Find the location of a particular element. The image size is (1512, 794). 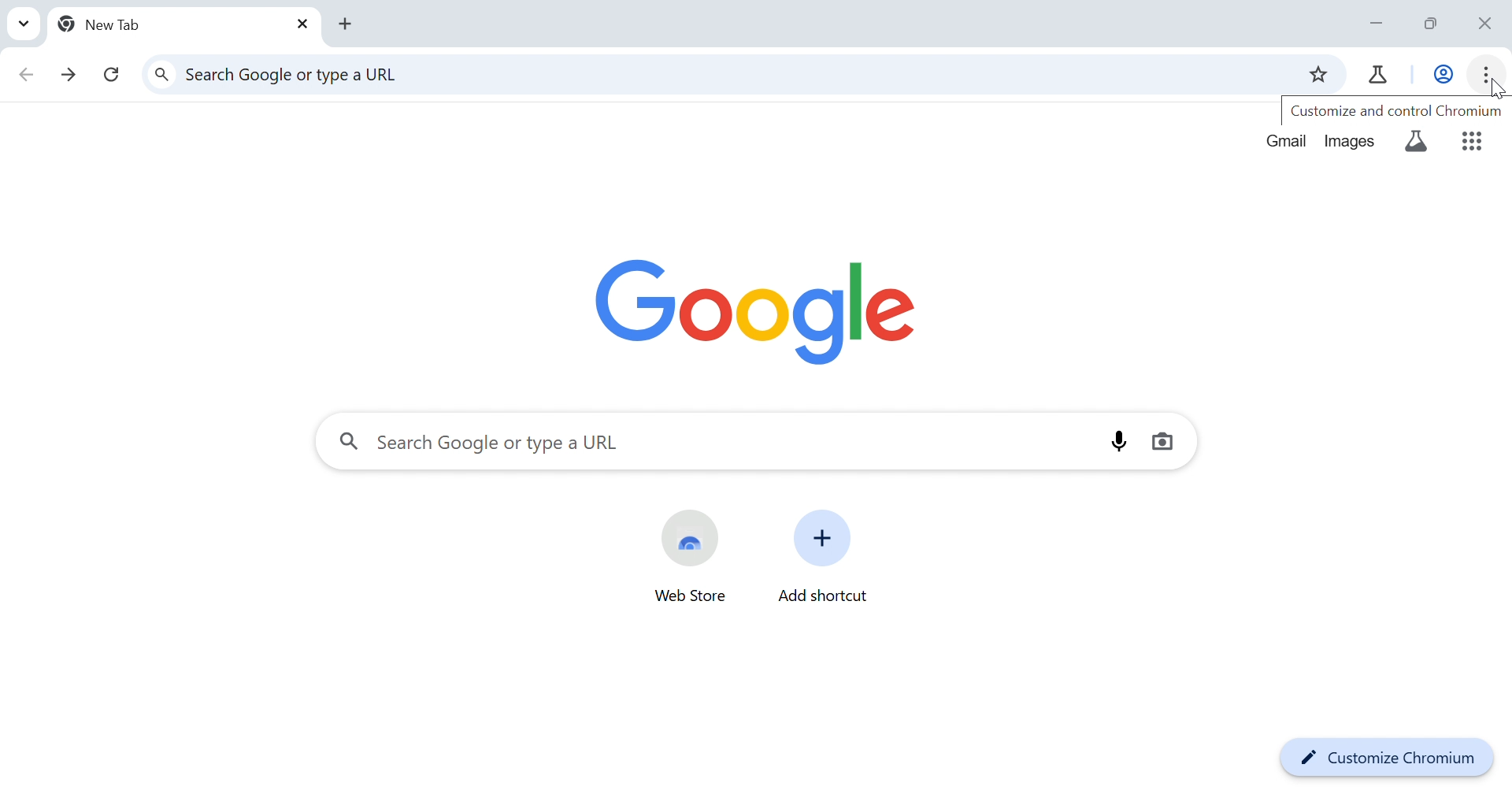

Search icon is located at coordinates (349, 440).